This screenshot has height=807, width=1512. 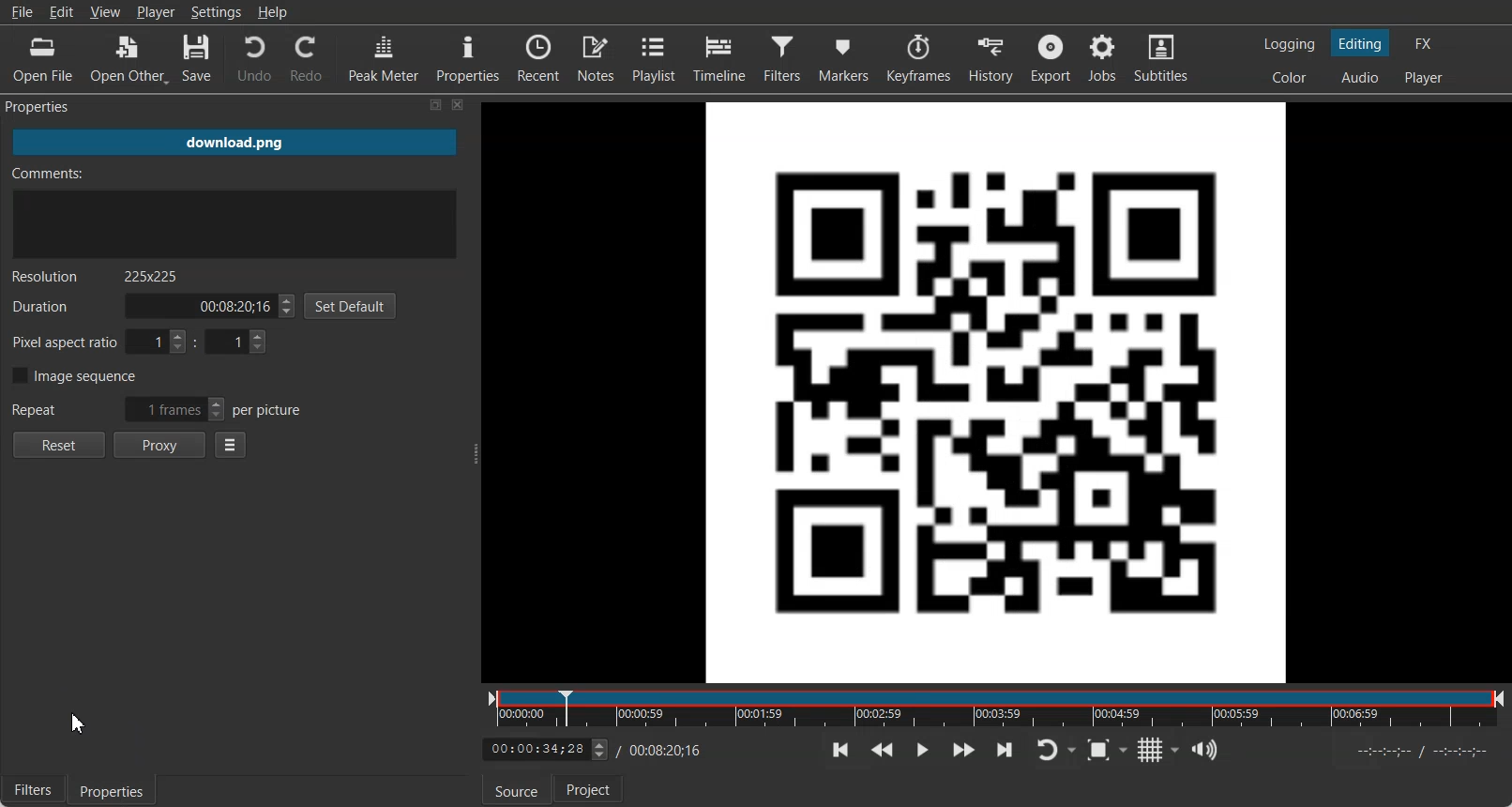 What do you see at coordinates (472, 452) in the screenshot?
I see `Adjust the Window` at bounding box center [472, 452].